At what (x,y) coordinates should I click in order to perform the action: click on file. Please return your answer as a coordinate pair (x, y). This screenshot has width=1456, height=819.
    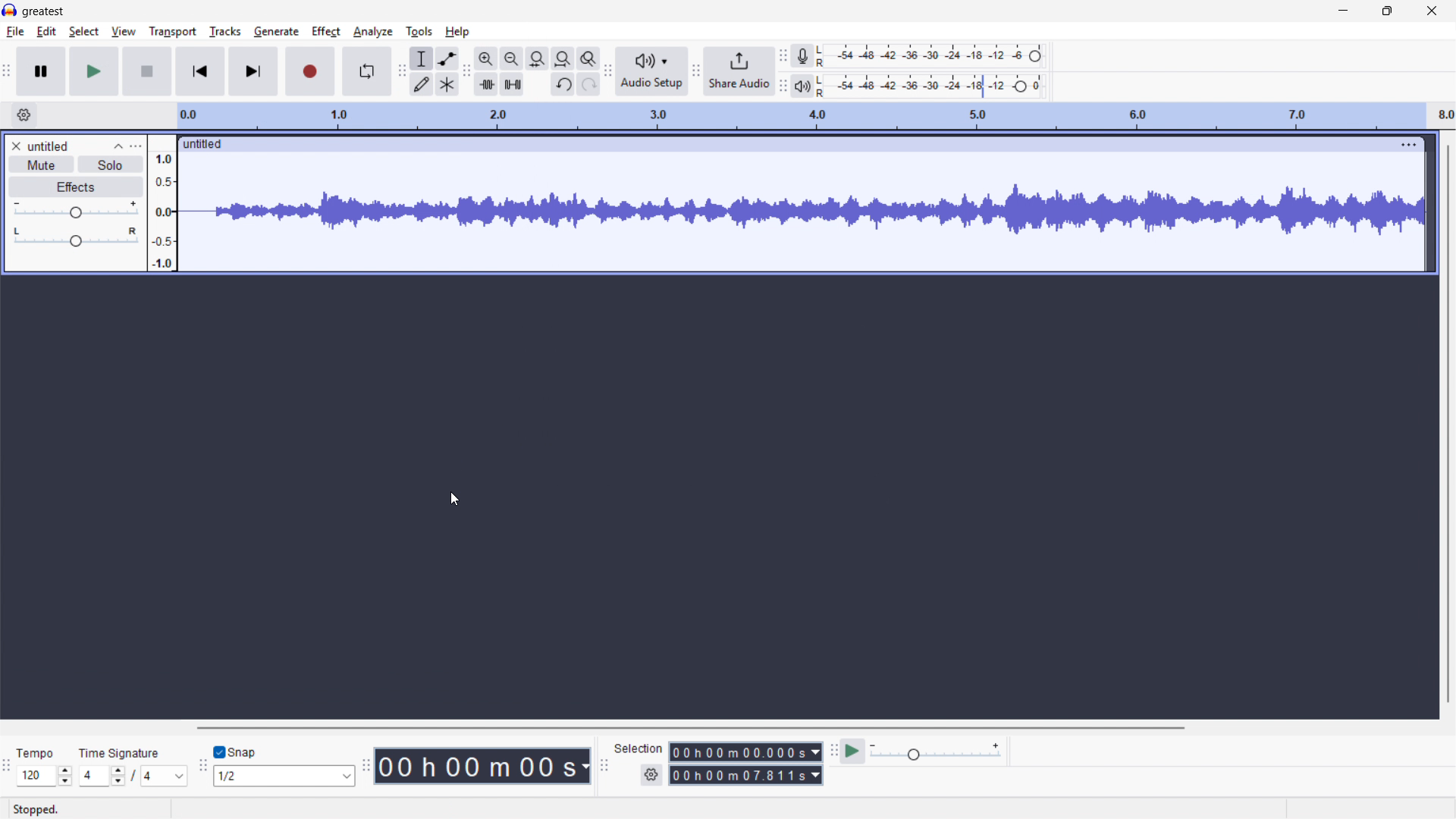
    Looking at the image, I should click on (15, 32).